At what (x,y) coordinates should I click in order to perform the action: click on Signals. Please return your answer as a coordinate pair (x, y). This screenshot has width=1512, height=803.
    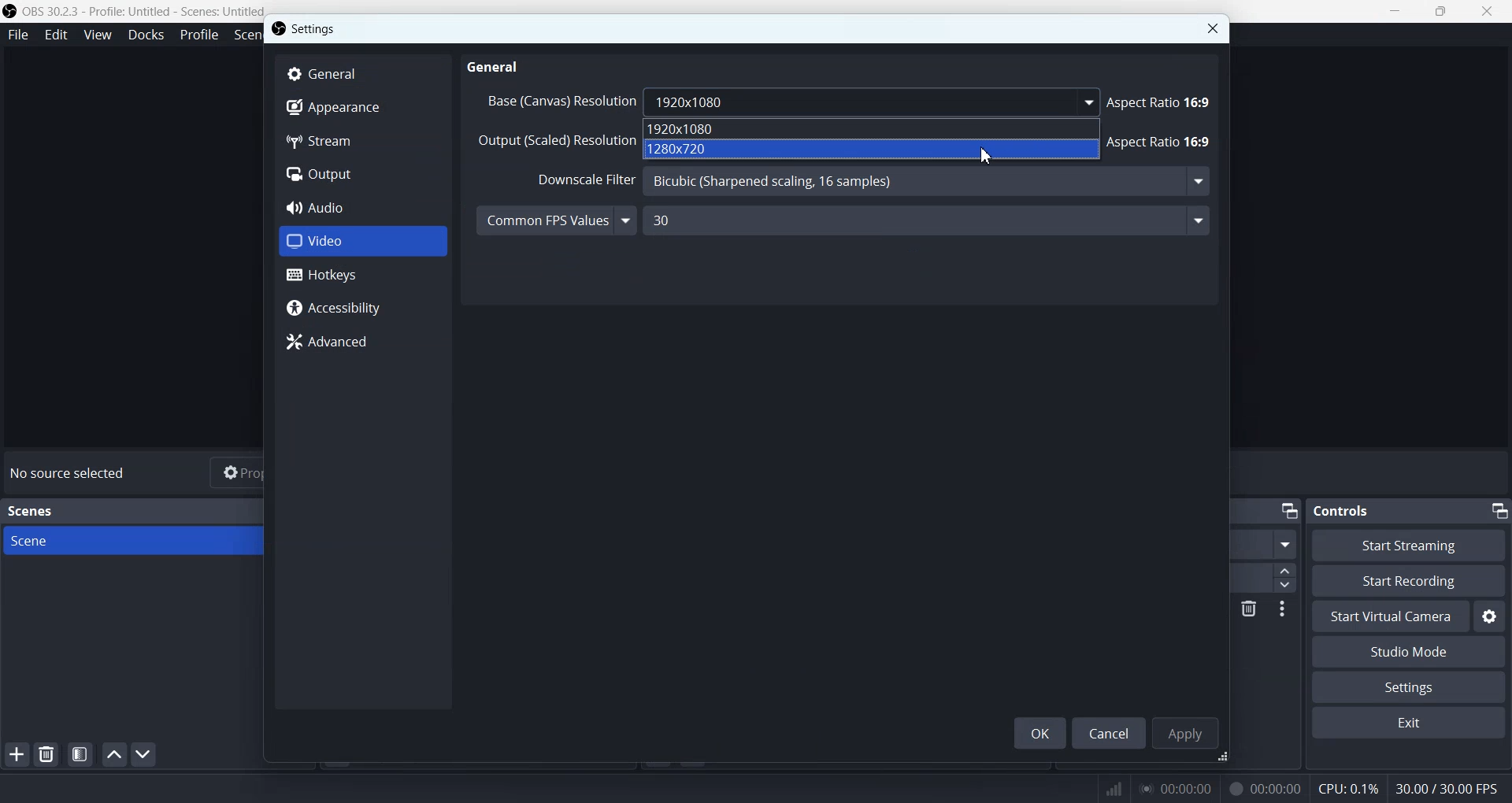
    Looking at the image, I should click on (1106, 787).